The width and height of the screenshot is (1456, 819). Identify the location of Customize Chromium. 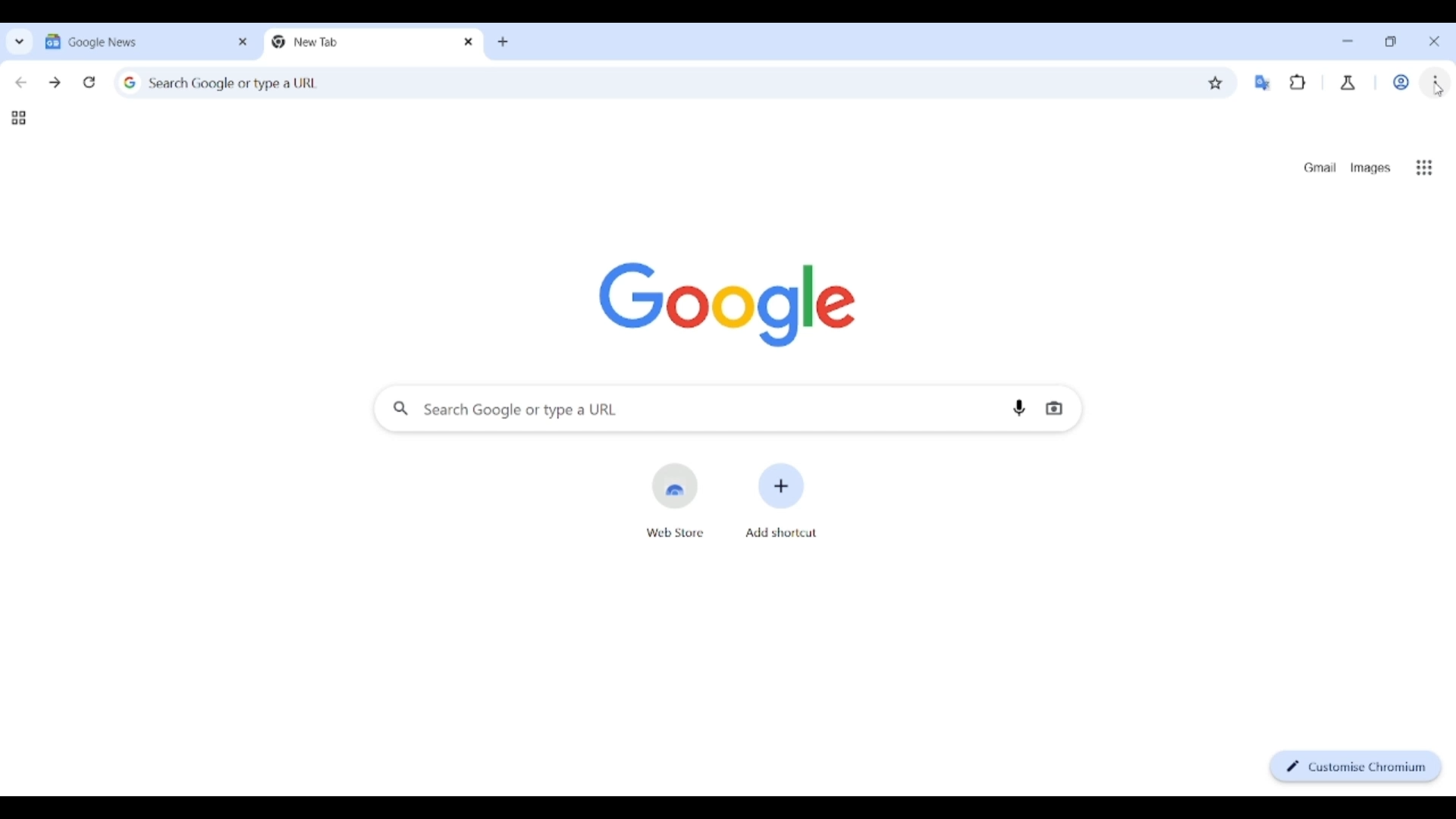
(1356, 767).